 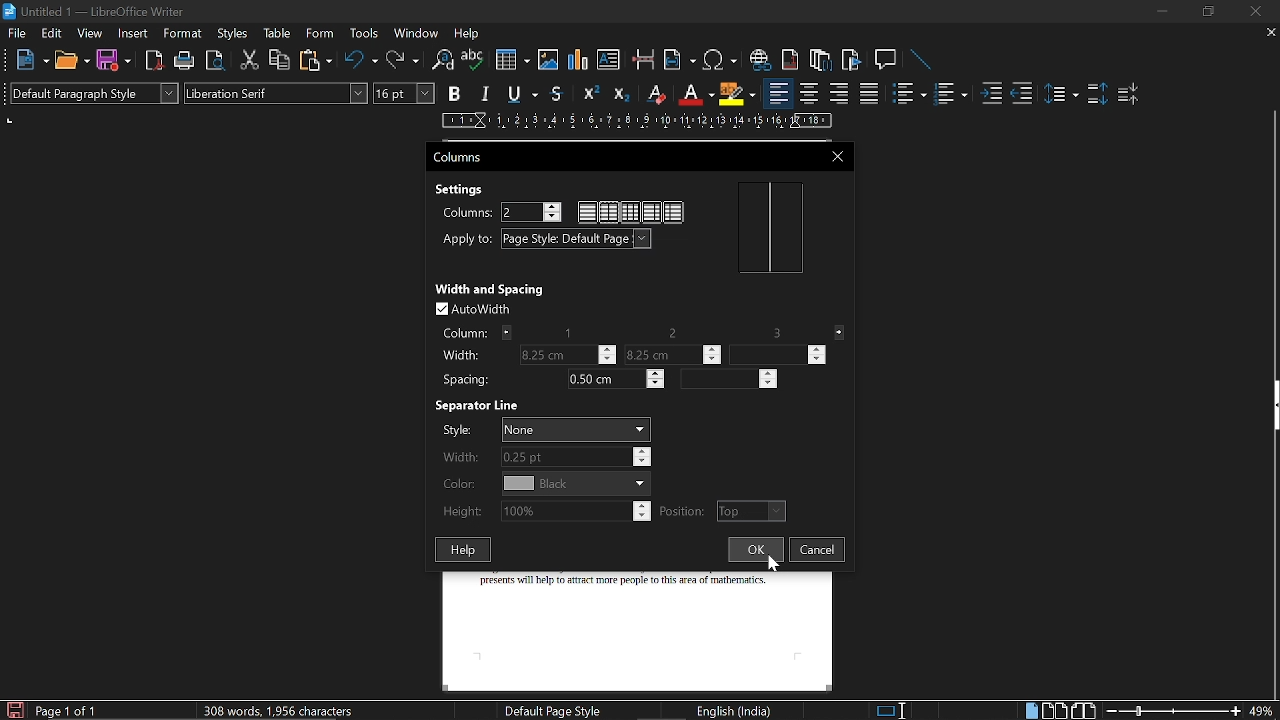 What do you see at coordinates (52, 33) in the screenshot?
I see `Edit` at bounding box center [52, 33].